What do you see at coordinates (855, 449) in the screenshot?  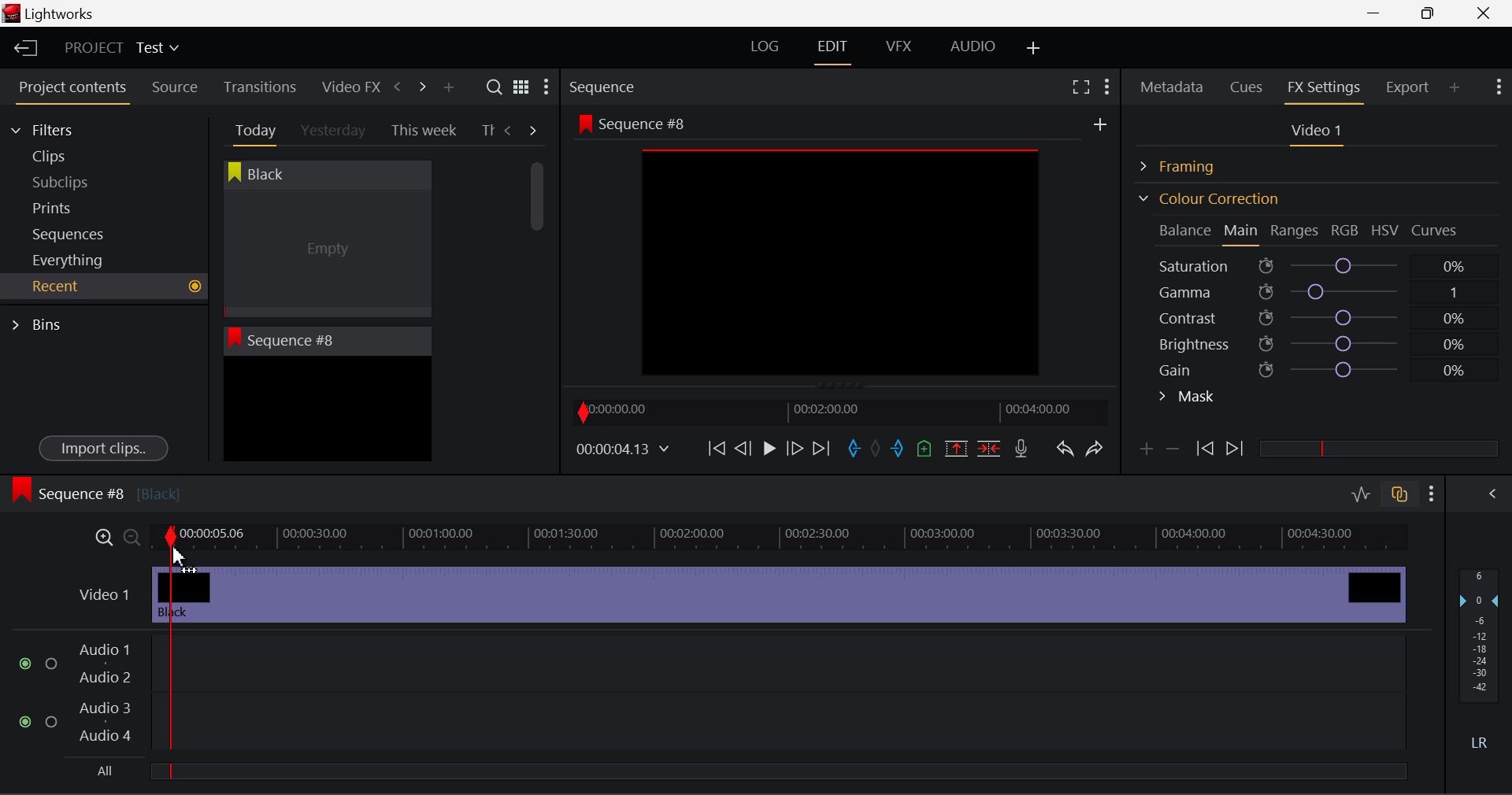 I see `Mark In` at bounding box center [855, 449].